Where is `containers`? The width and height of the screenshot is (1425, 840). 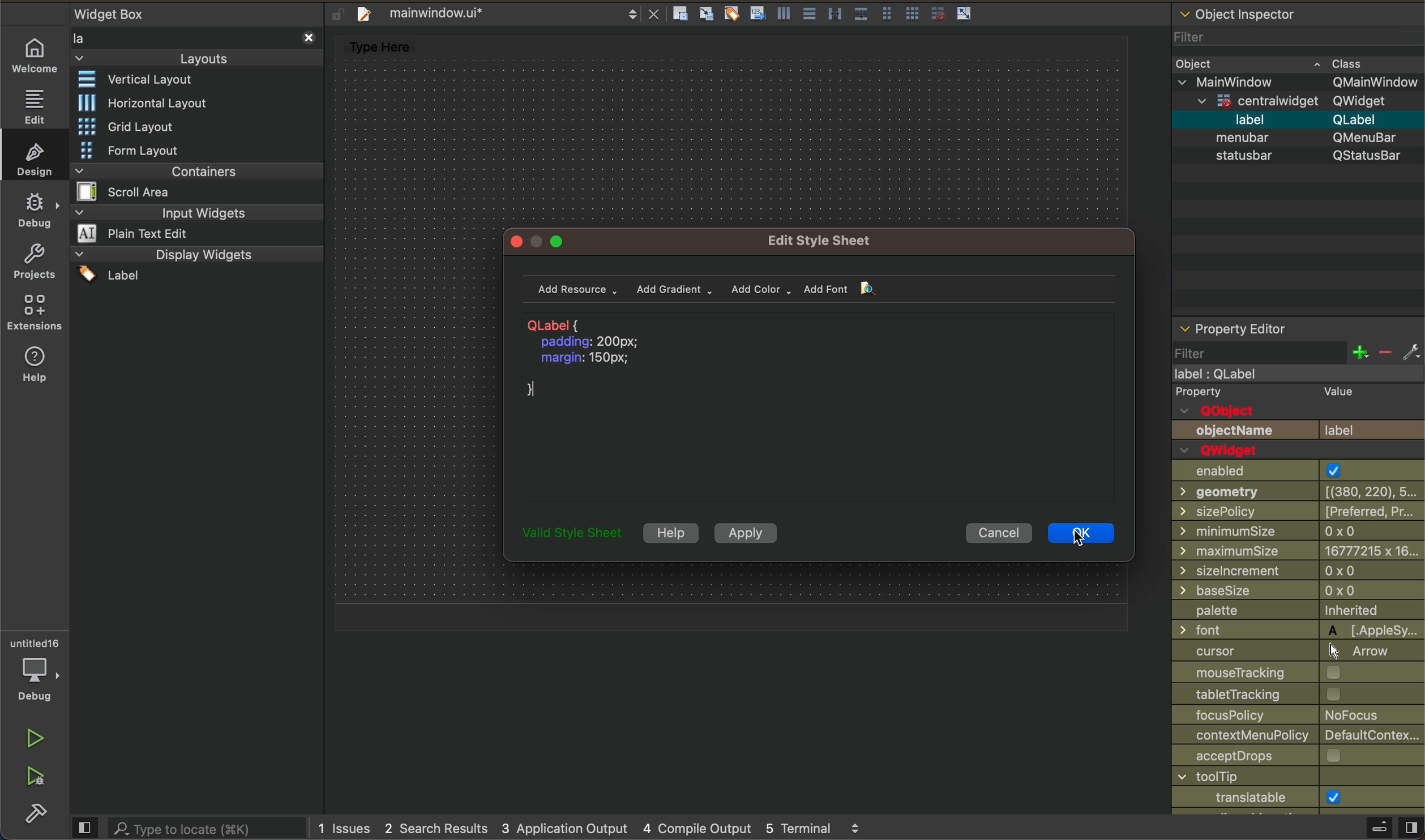 containers is located at coordinates (190, 181).